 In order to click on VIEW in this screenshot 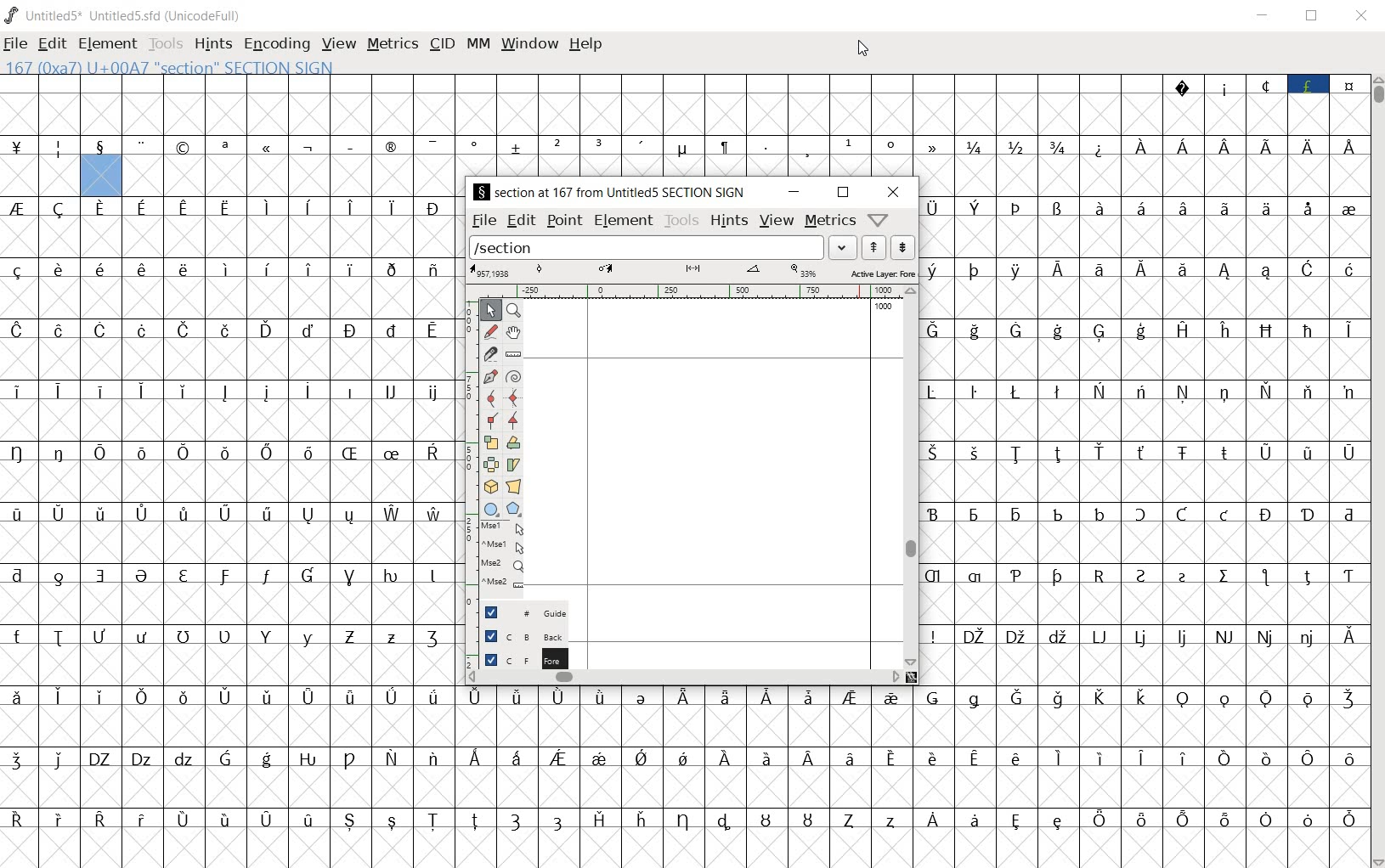, I will do `click(339, 45)`.